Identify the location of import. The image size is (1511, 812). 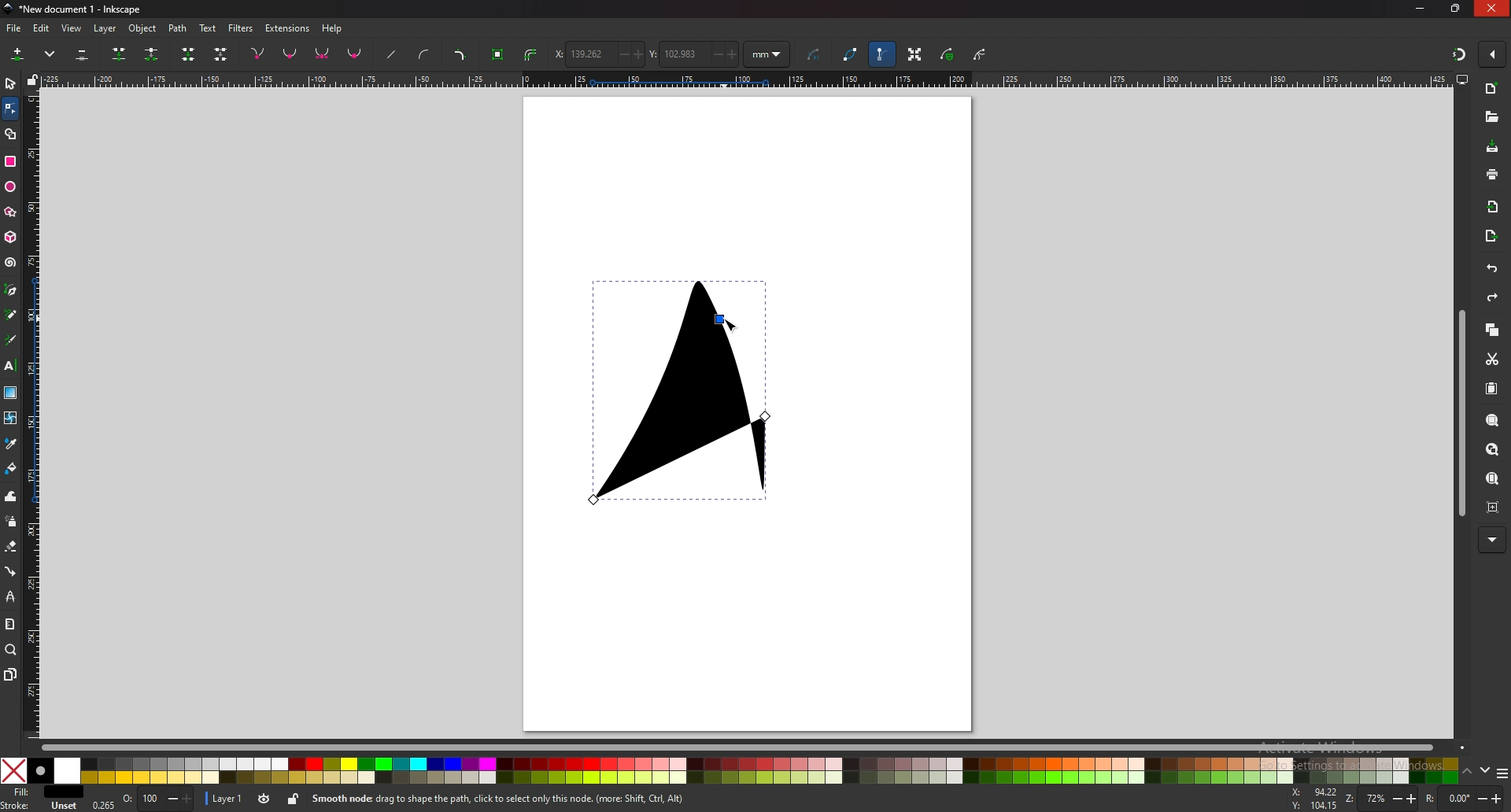
(1494, 209).